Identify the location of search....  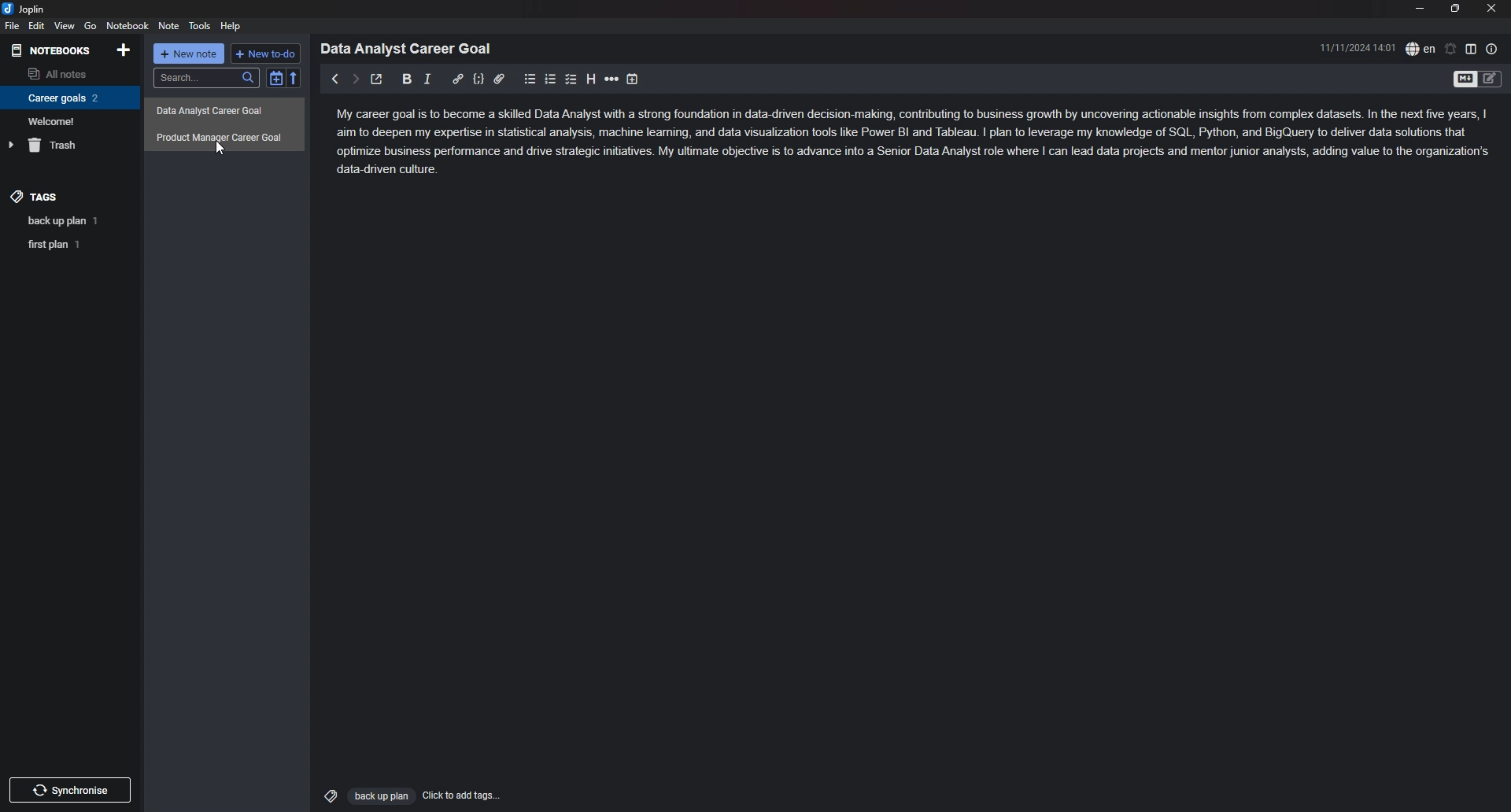
(205, 78).